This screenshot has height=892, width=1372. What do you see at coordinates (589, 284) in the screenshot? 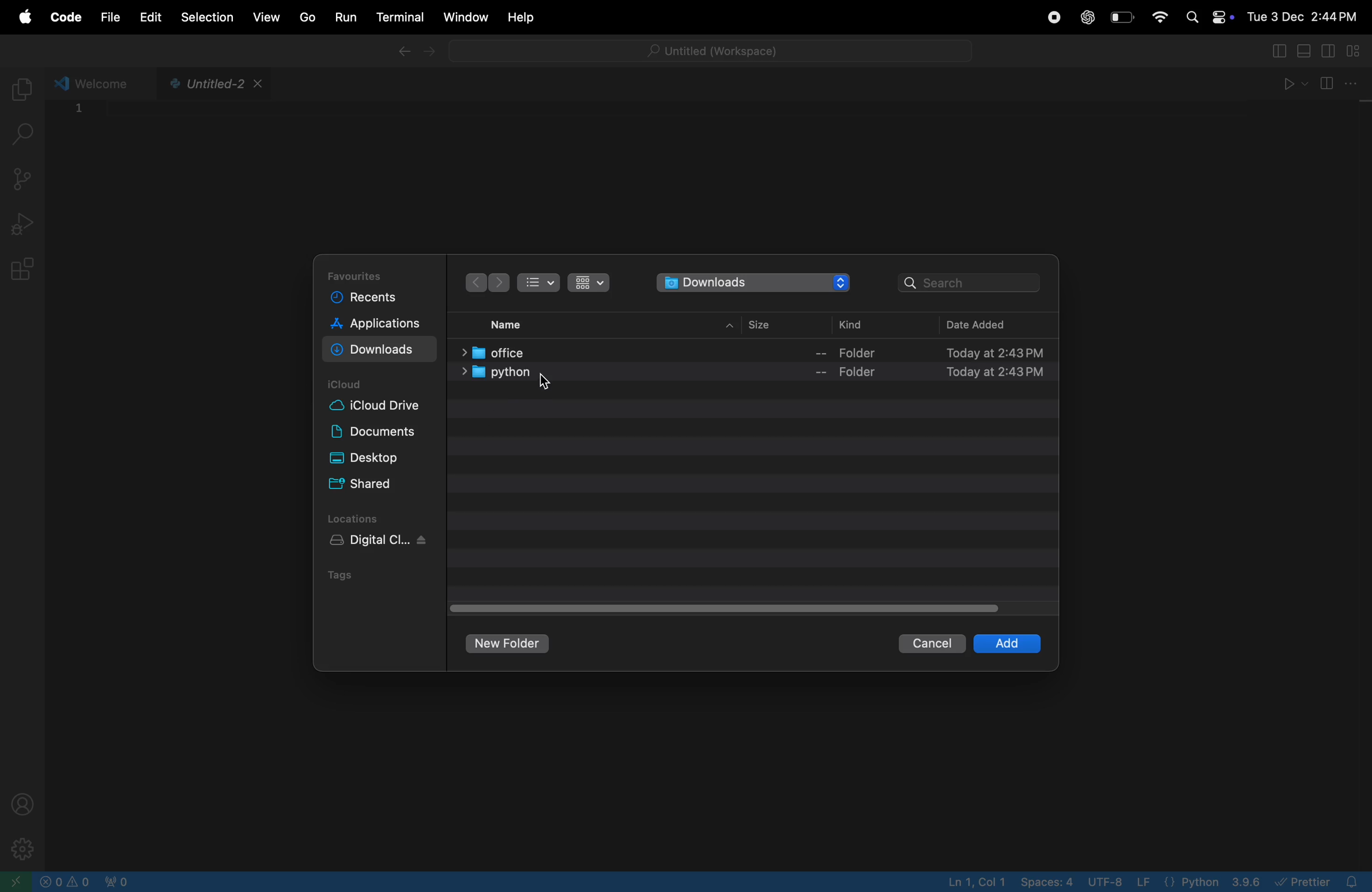
I see `icon view` at bounding box center [589, 284].